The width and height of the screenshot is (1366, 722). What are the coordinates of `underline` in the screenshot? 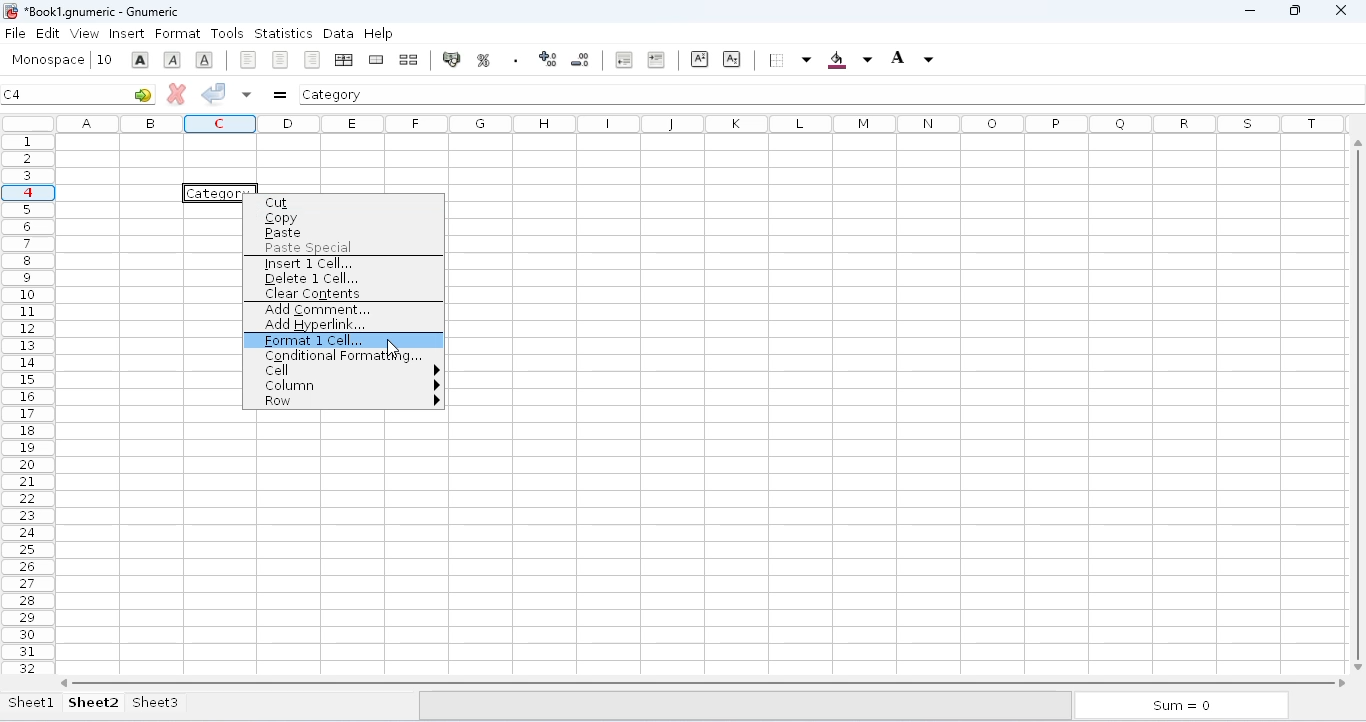 It's located at (204, 59).